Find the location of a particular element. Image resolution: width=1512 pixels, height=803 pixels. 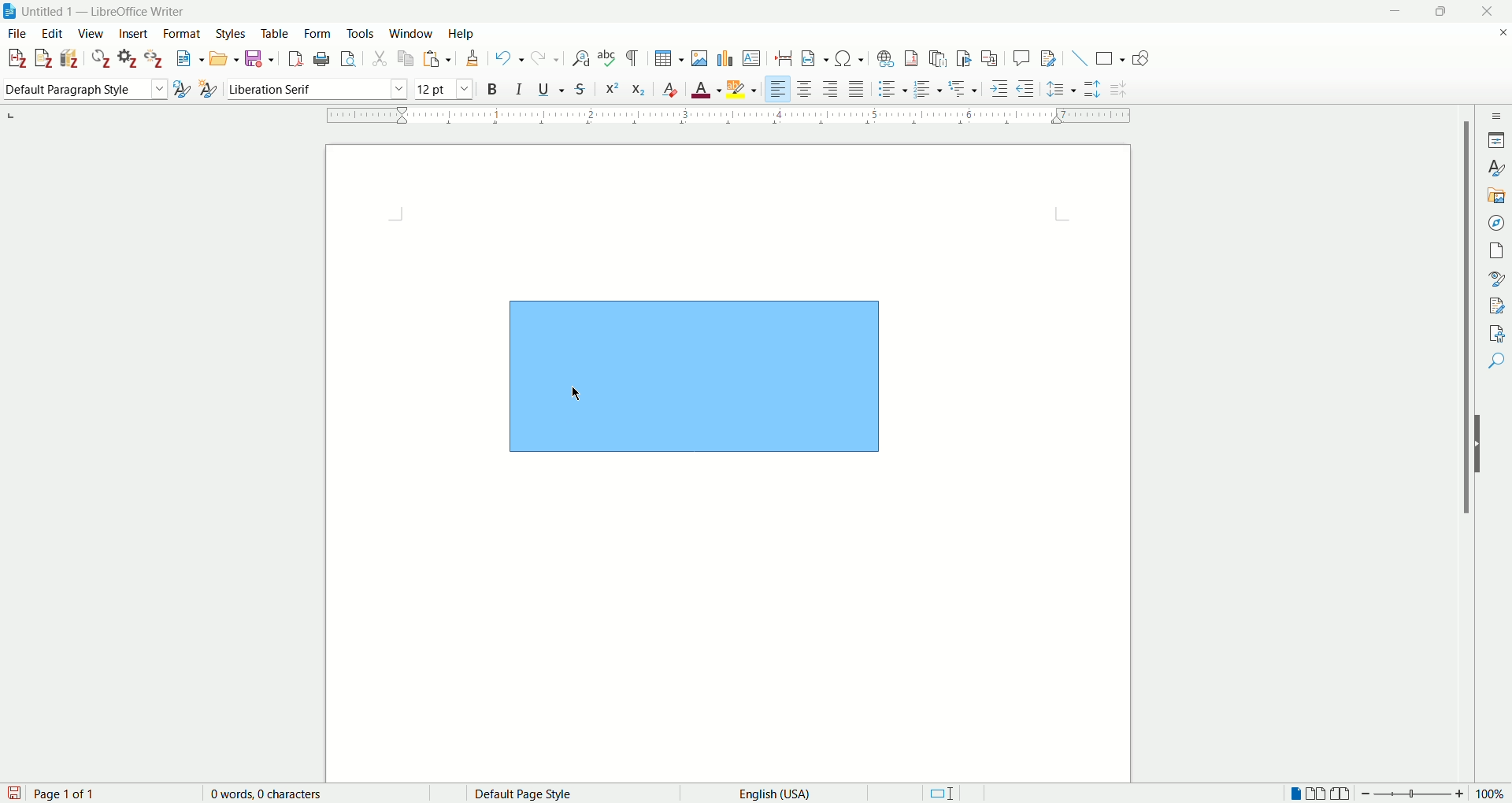

insert hyperlink is located at coordinates (889, 58).